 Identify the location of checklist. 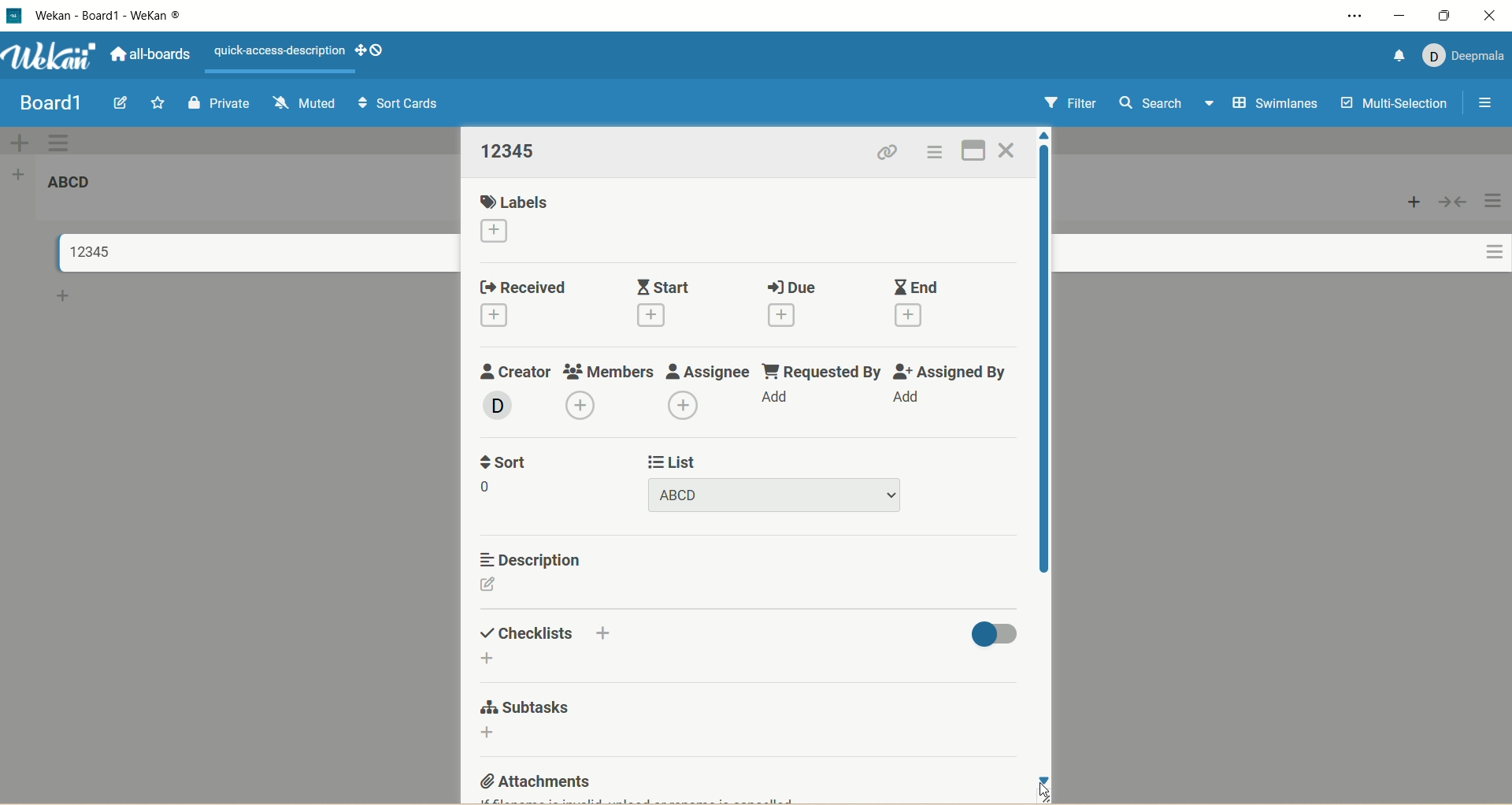
(525, 632).